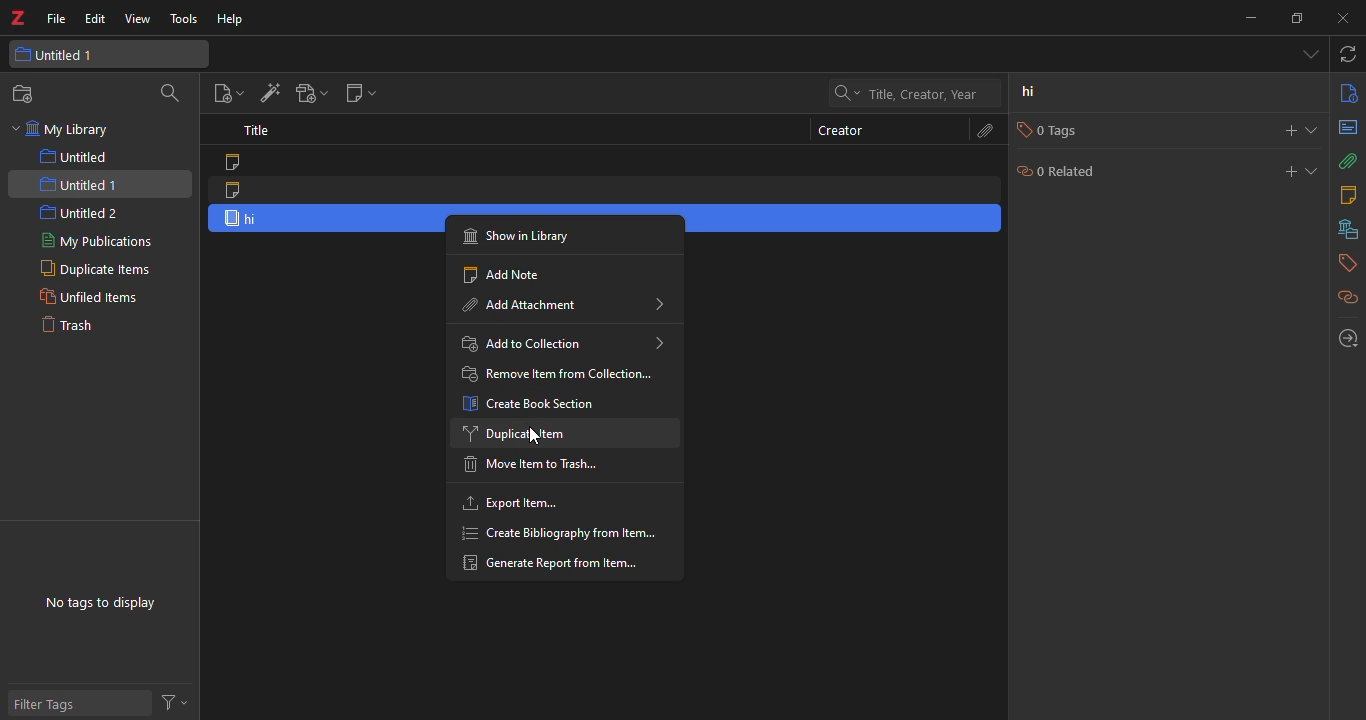 Image resolution: width=1366 pixels, height=720 pixels. What do you see at coordinates (523, 236) in the screenshot?
I see `show in library` at bounding box center [523, 236].